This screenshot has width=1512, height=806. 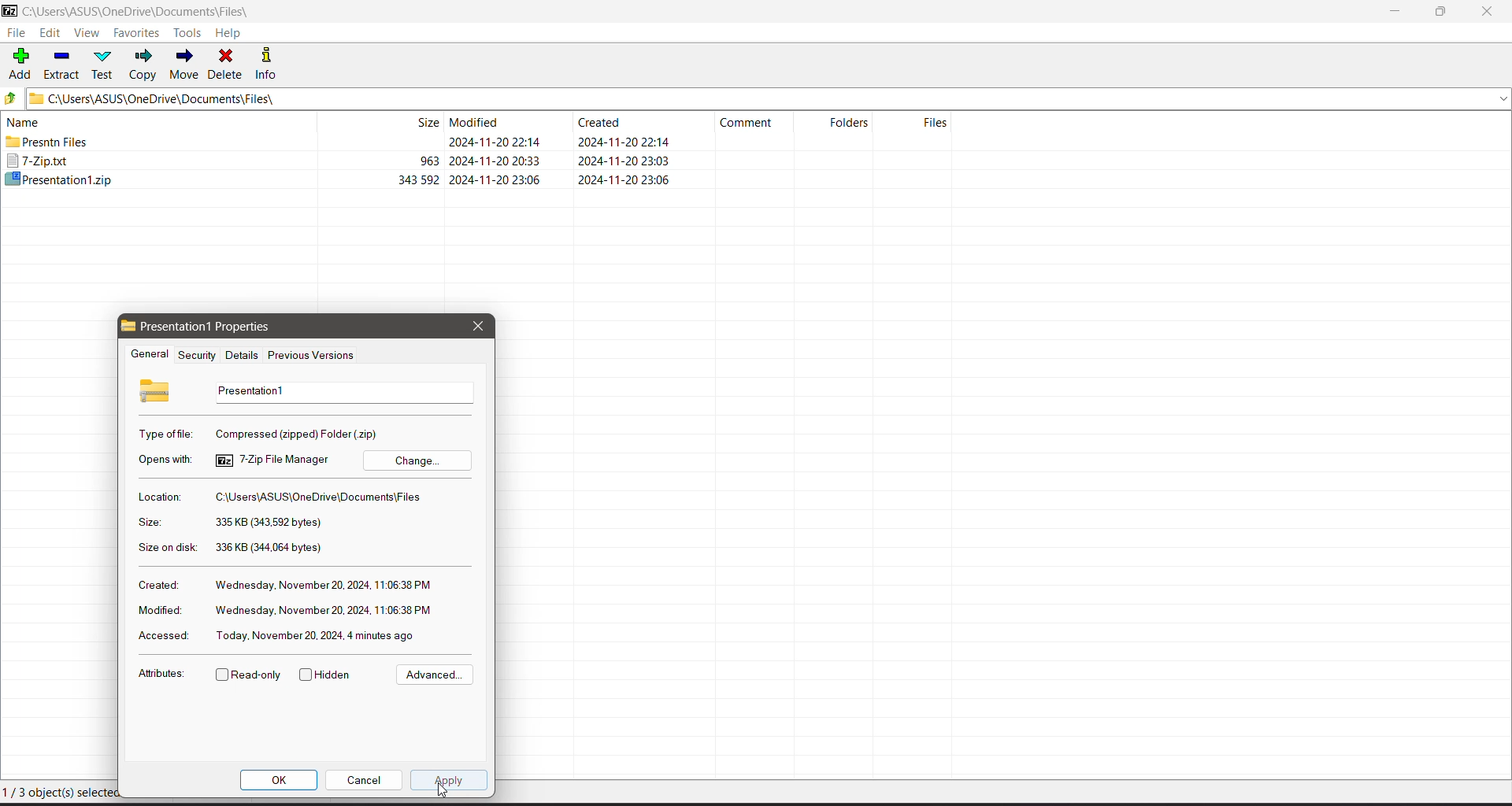 I want to click on File, so click(x=16, y=33).